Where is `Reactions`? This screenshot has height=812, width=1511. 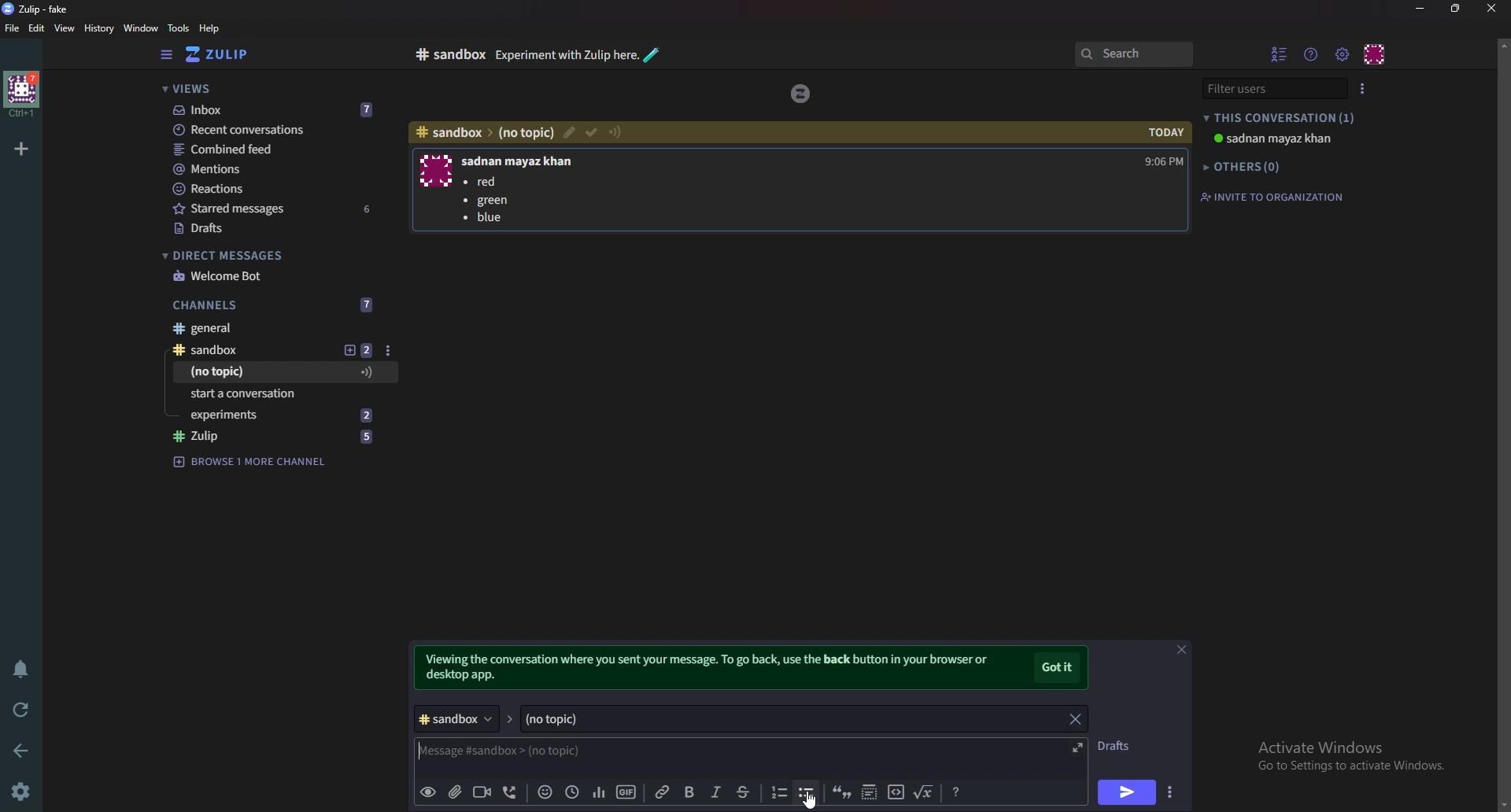
Reactions is located at coordinates (276, 189).